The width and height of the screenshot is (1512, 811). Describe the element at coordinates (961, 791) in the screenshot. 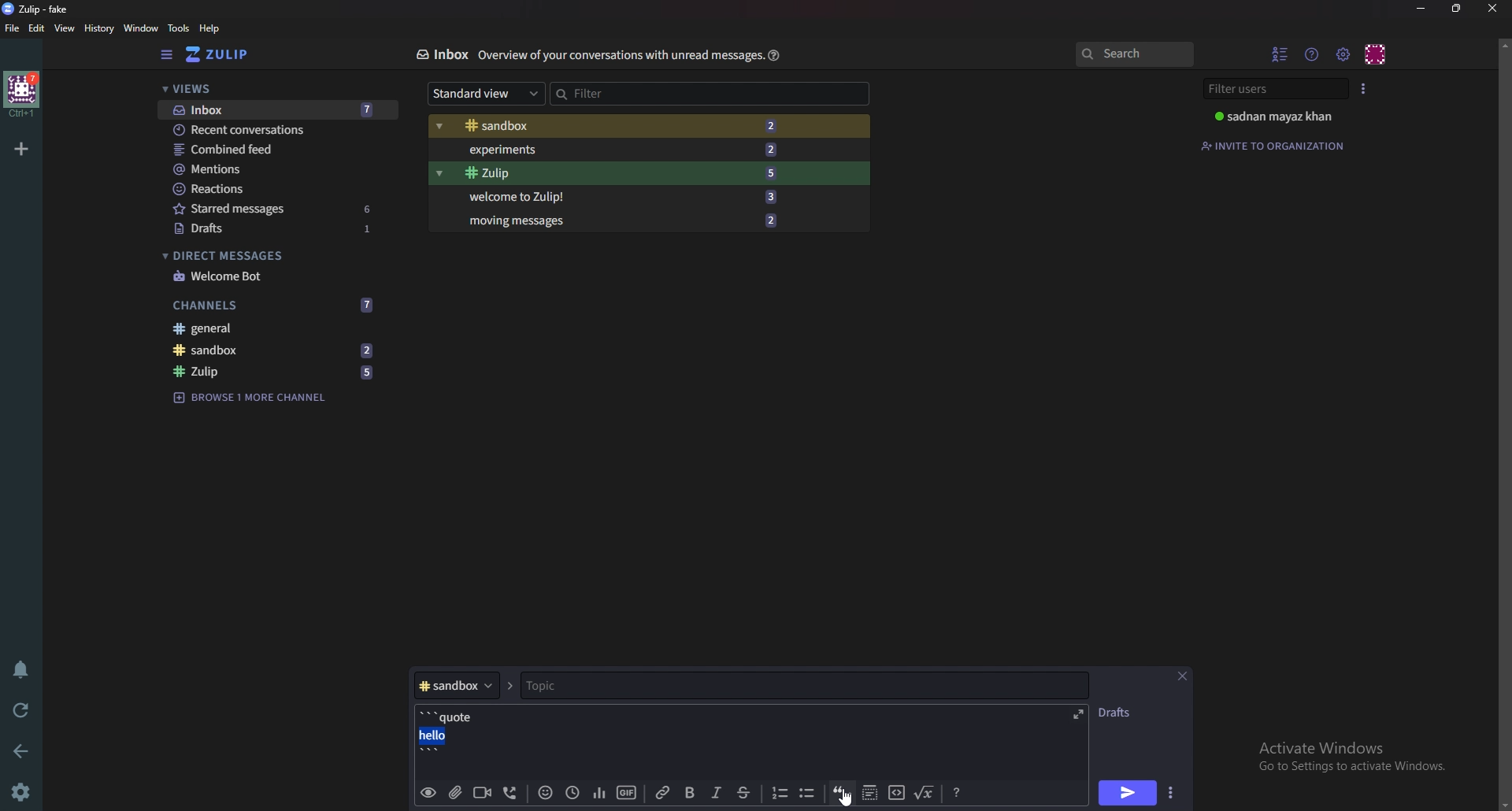

I see `message Formatting` at that location.